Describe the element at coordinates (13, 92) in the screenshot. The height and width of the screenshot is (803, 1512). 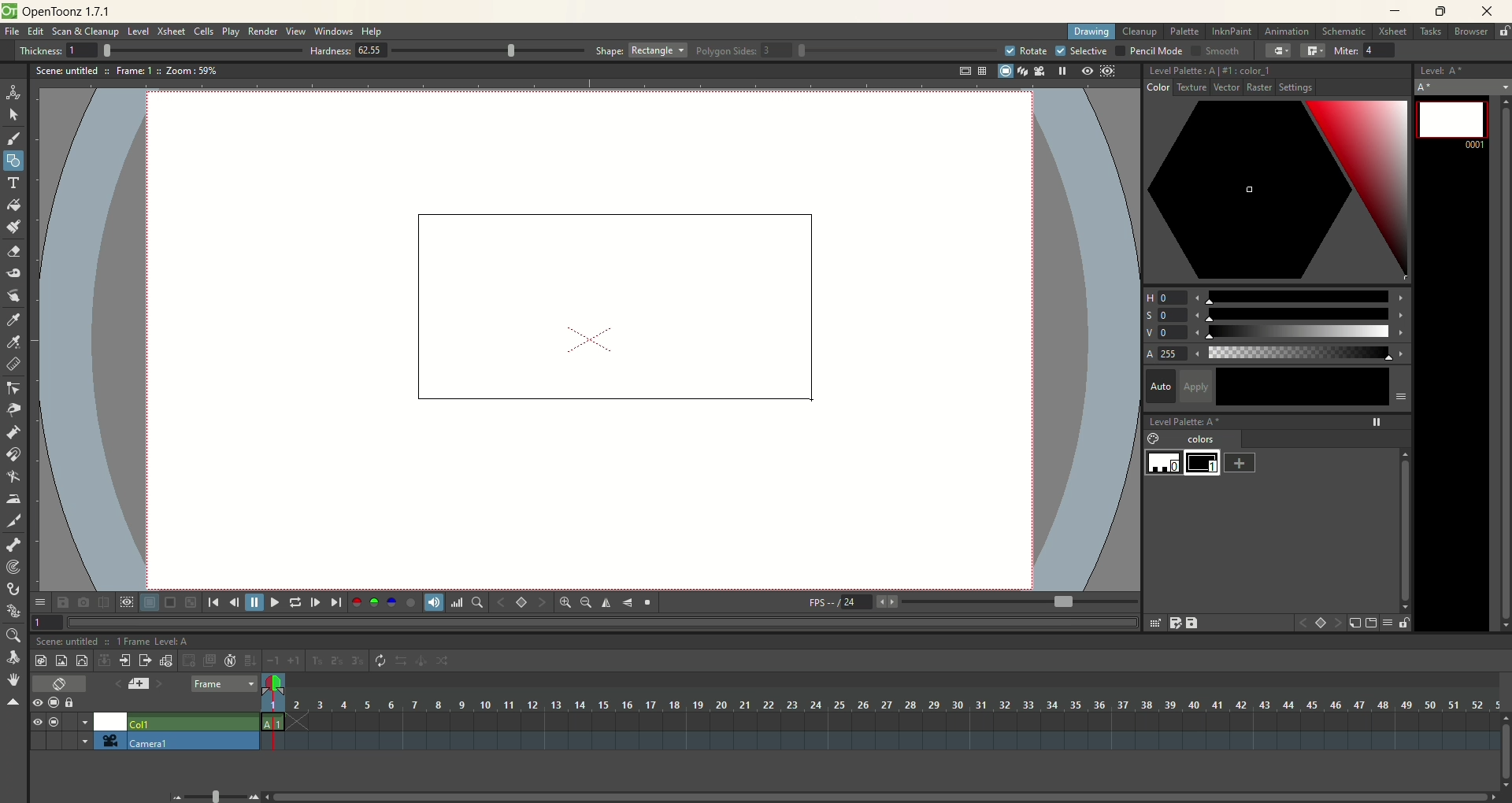
I see `animate tool` at that location.